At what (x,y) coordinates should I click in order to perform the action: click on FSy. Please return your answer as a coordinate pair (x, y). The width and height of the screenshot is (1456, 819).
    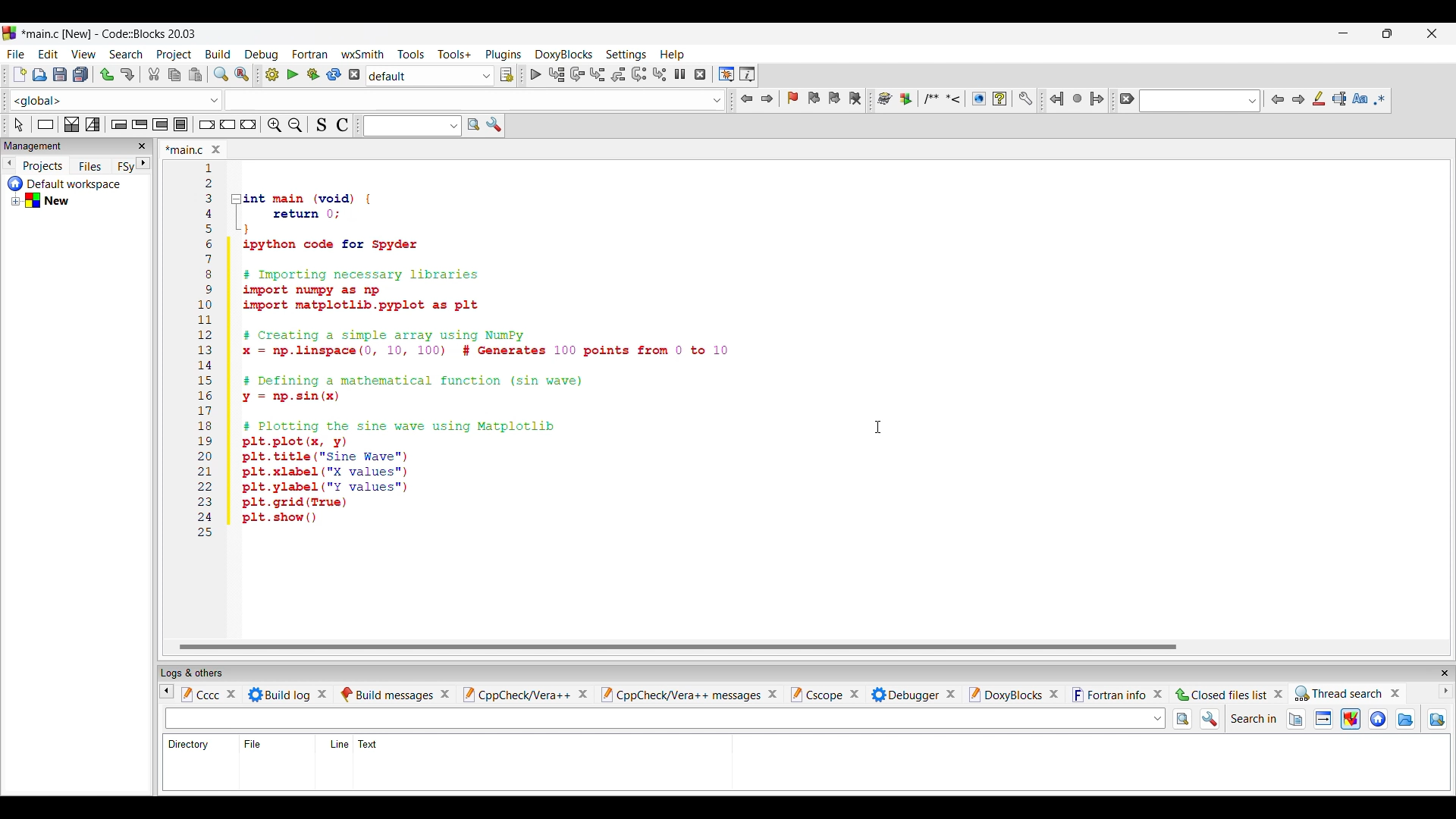
    Looking at the image, I should click on (126, 165).